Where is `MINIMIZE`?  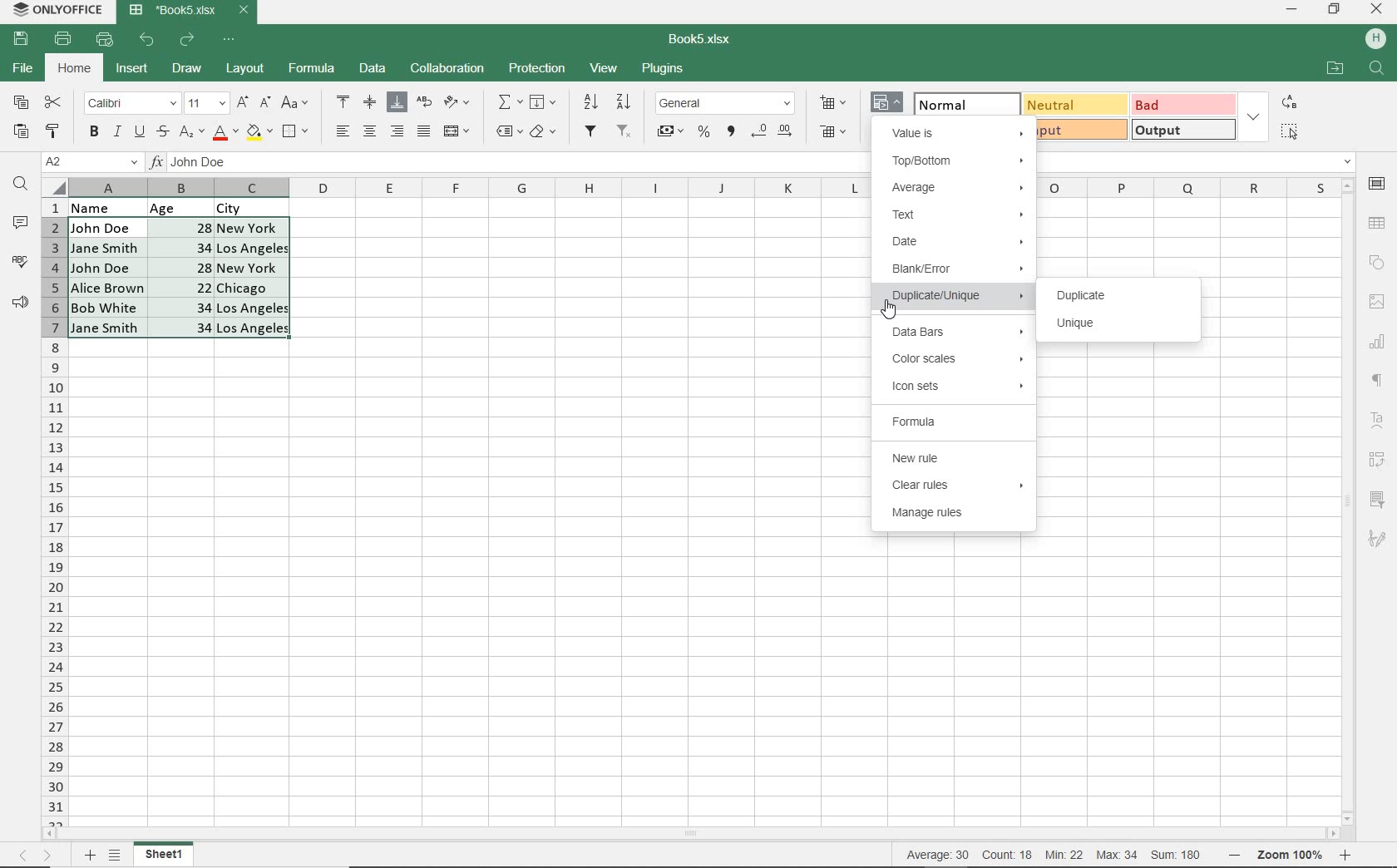
MINIMIZE is located at coordinates (1293, 10).